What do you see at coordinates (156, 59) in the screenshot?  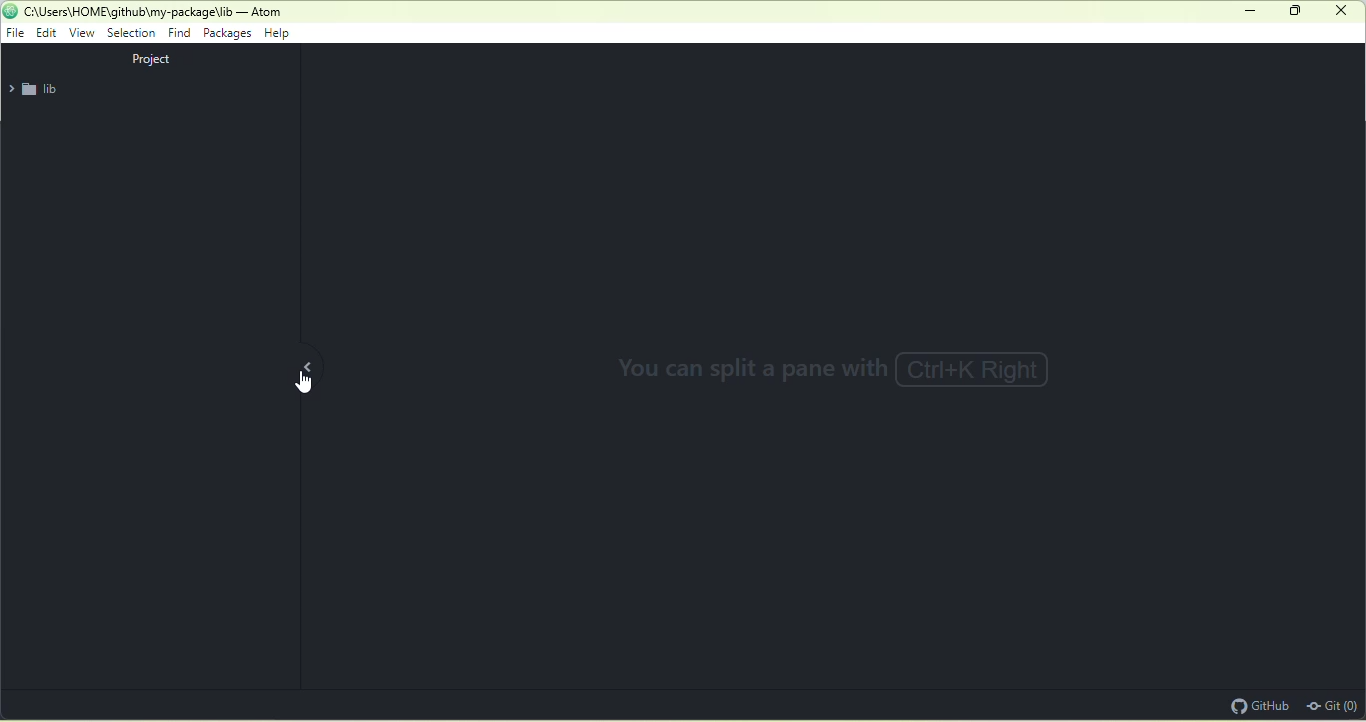 I see `project` at bounding box center [156, 59].